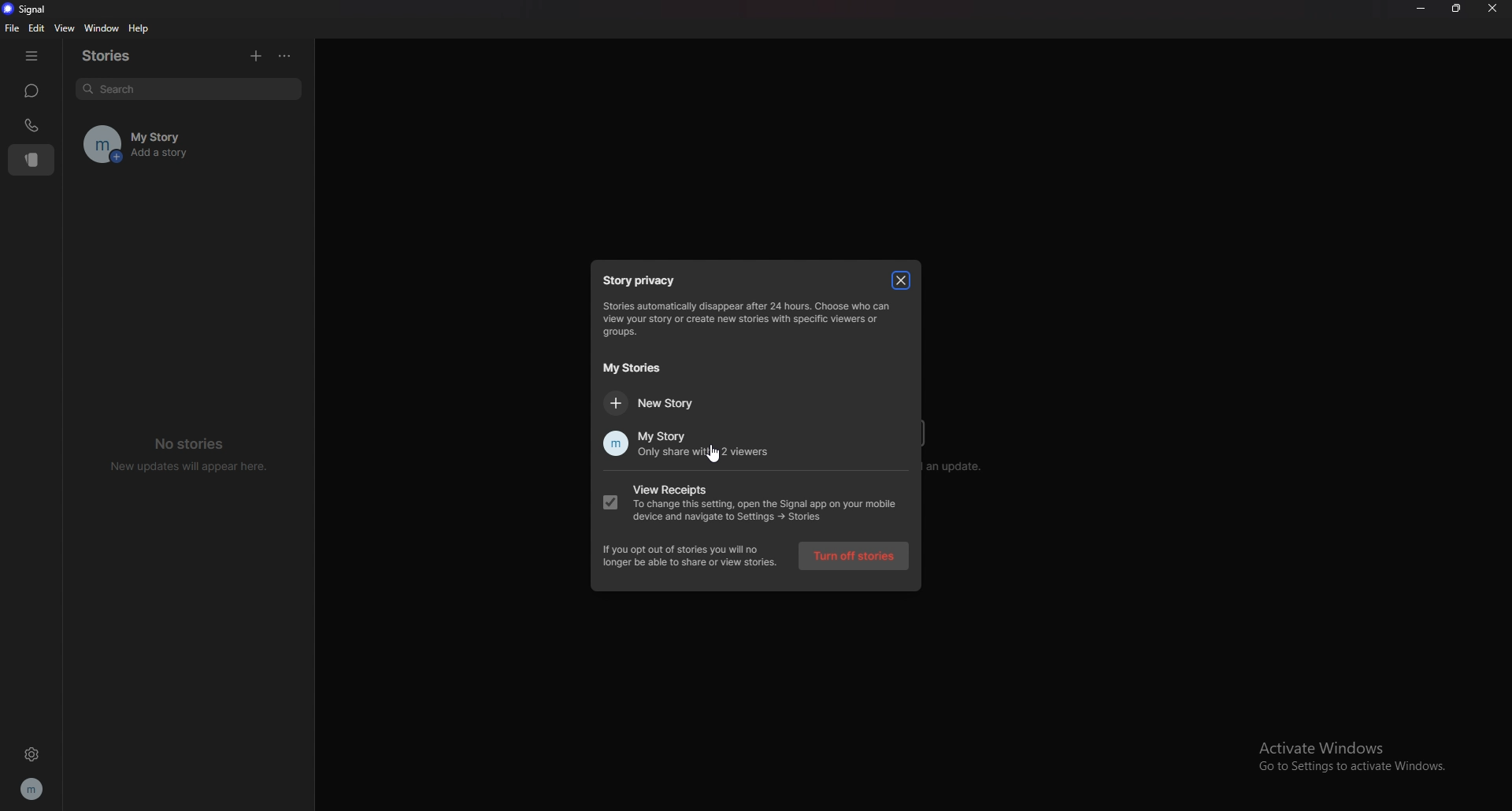 This screenshot has height=811, width=1512. What do you see at coordinates (32, 54) in the screenshot?
I see `hide tab` at bounding box center [32, 54].